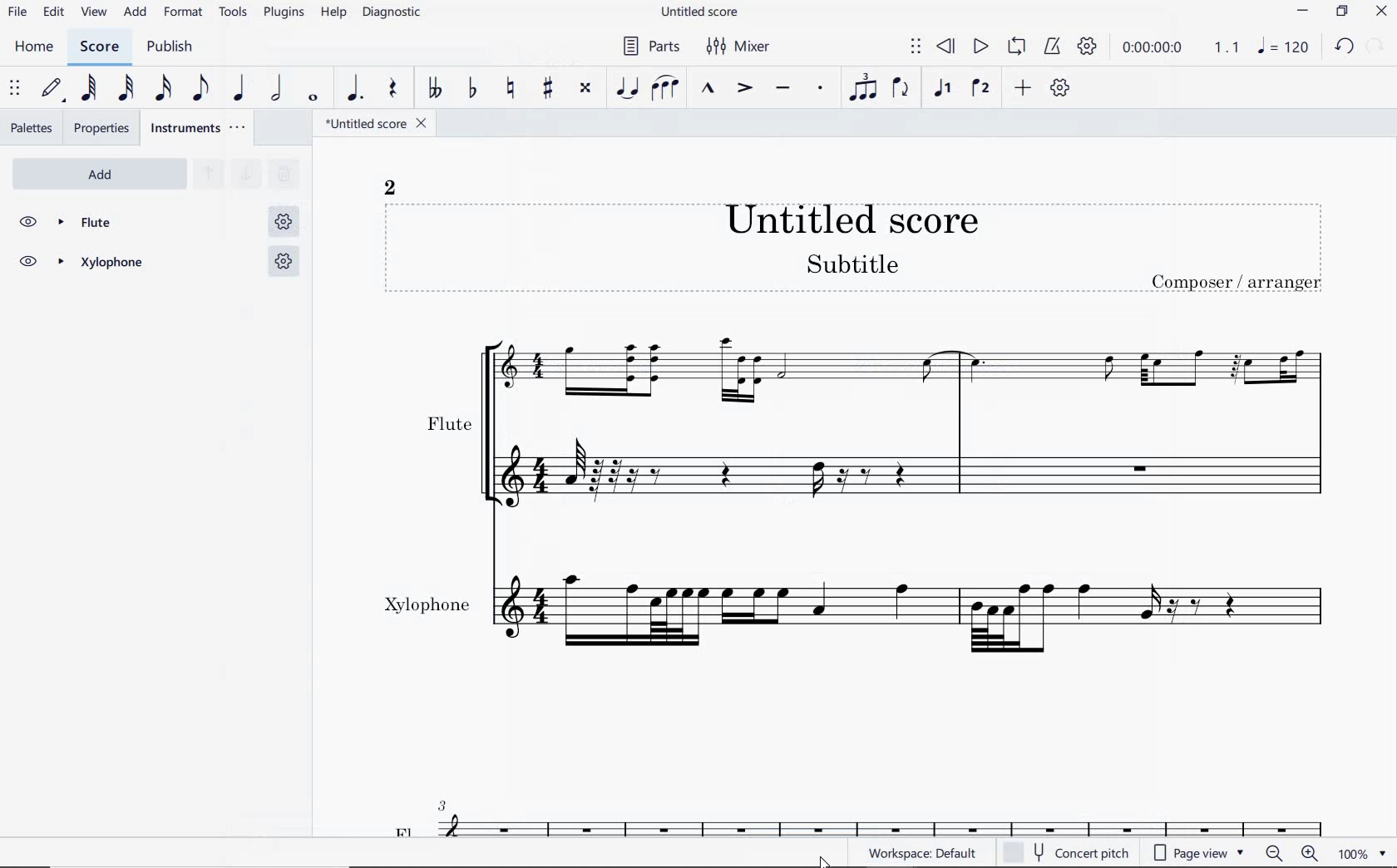 This screenshot has width=1397, height=868. I want to click on MARCATO, so click(708, 88).